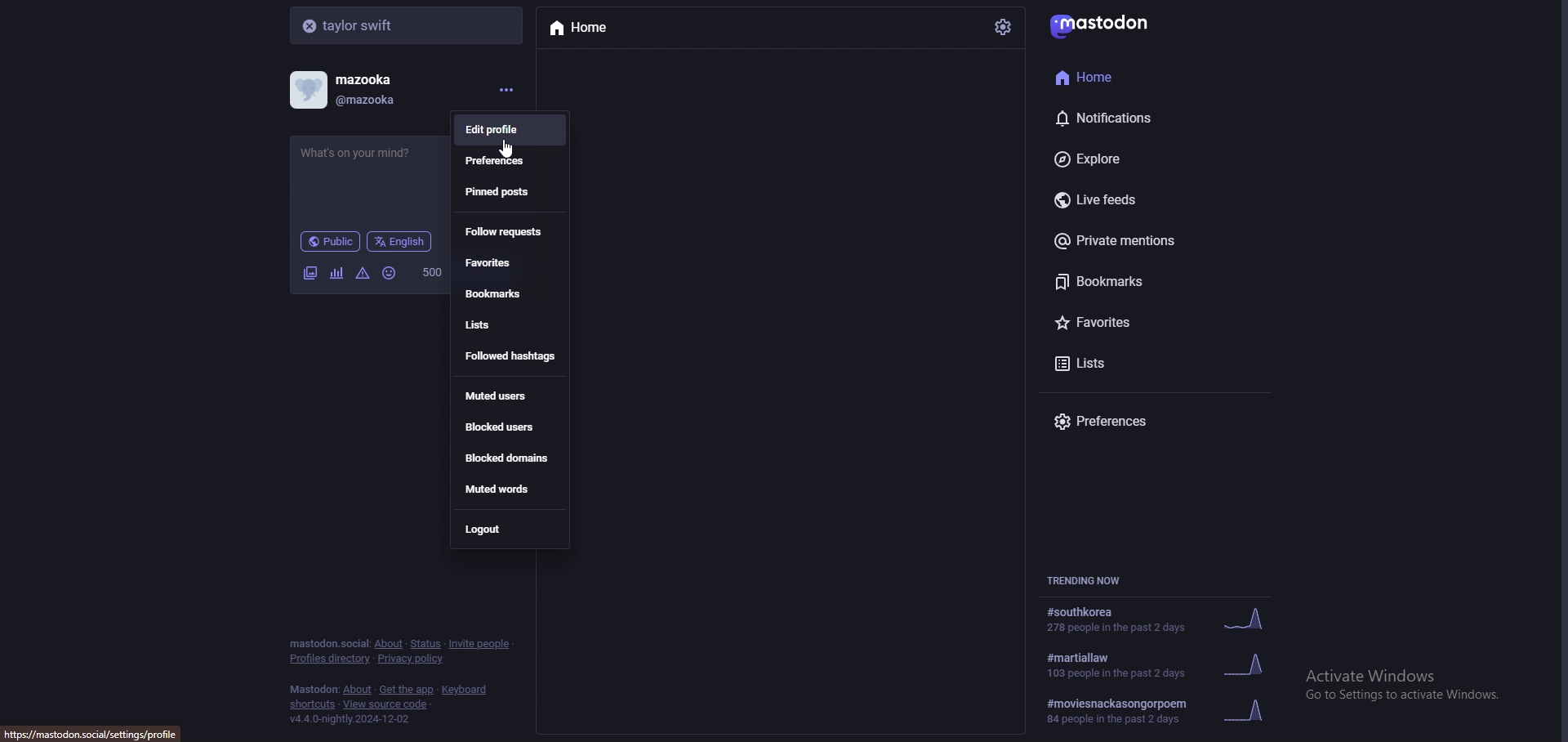  What do you see at coordinates (1162, 621) in the screenshot?
I see `trending` at bounding box center [1162, 621].